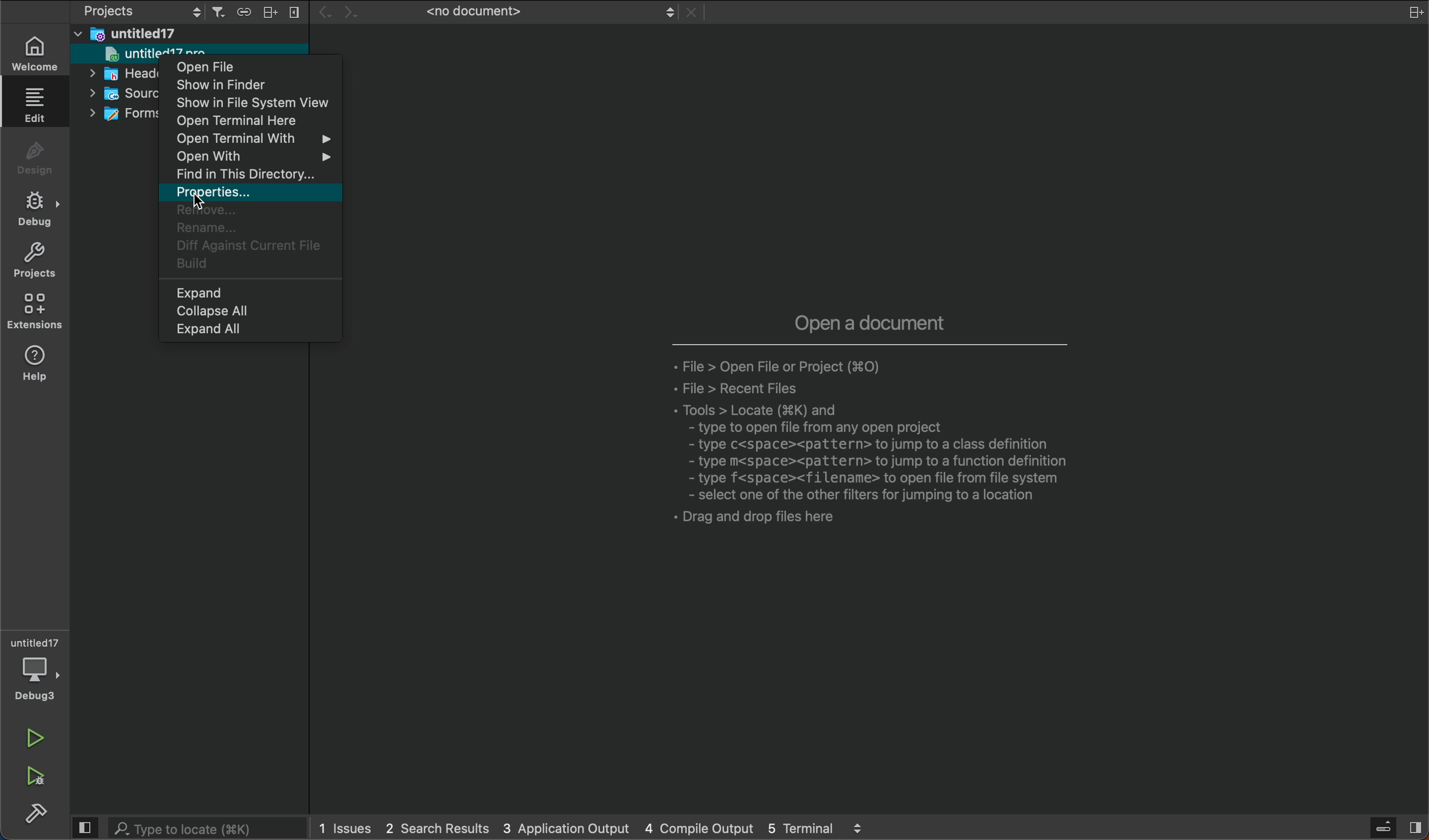  I want to click on Open a Document, so click(862, 436).